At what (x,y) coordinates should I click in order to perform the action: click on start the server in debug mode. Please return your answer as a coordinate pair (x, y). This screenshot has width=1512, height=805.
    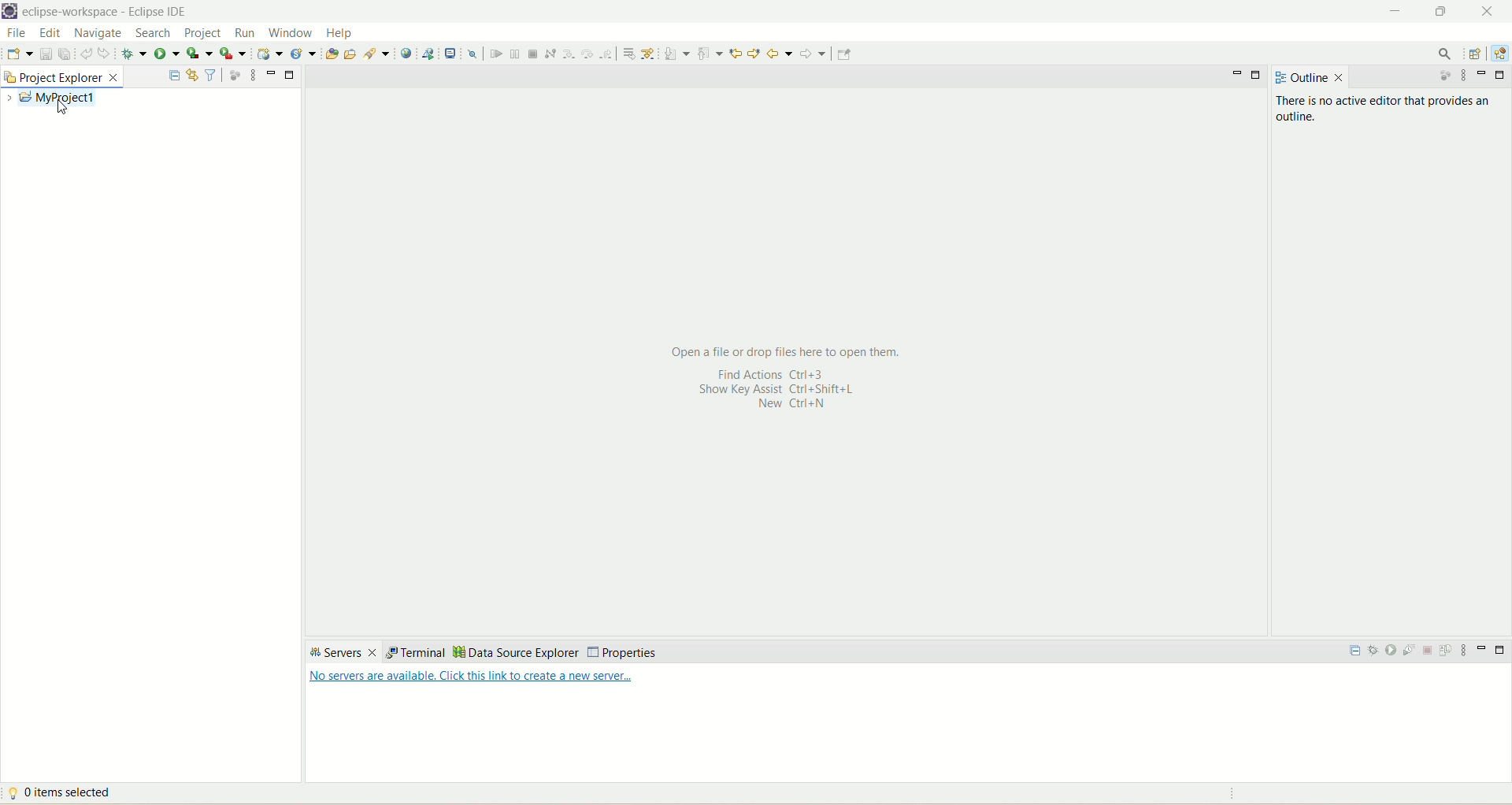
    Looking at the image, I should click on (1374, 652).